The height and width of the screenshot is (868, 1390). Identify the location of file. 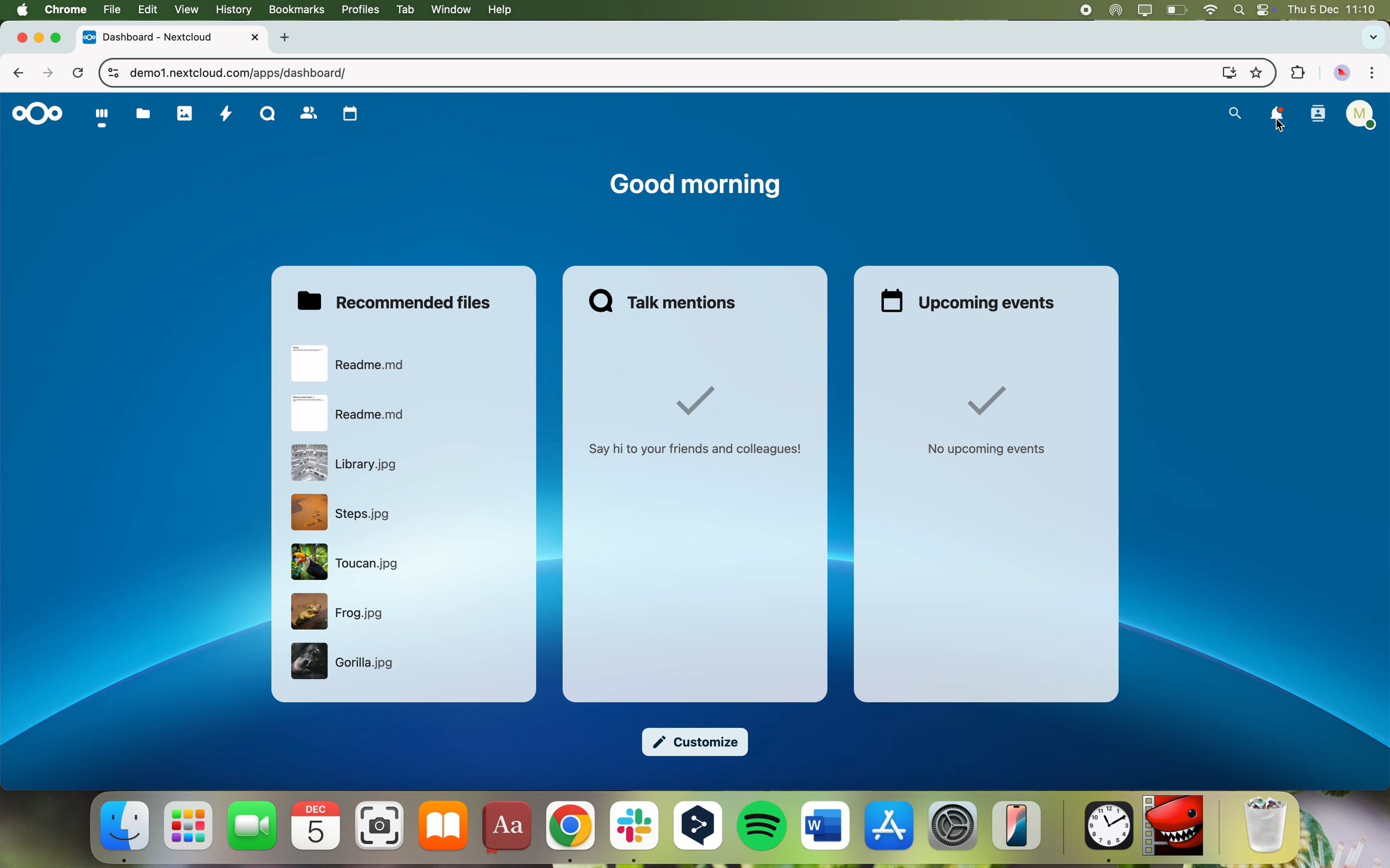
(352, 414).